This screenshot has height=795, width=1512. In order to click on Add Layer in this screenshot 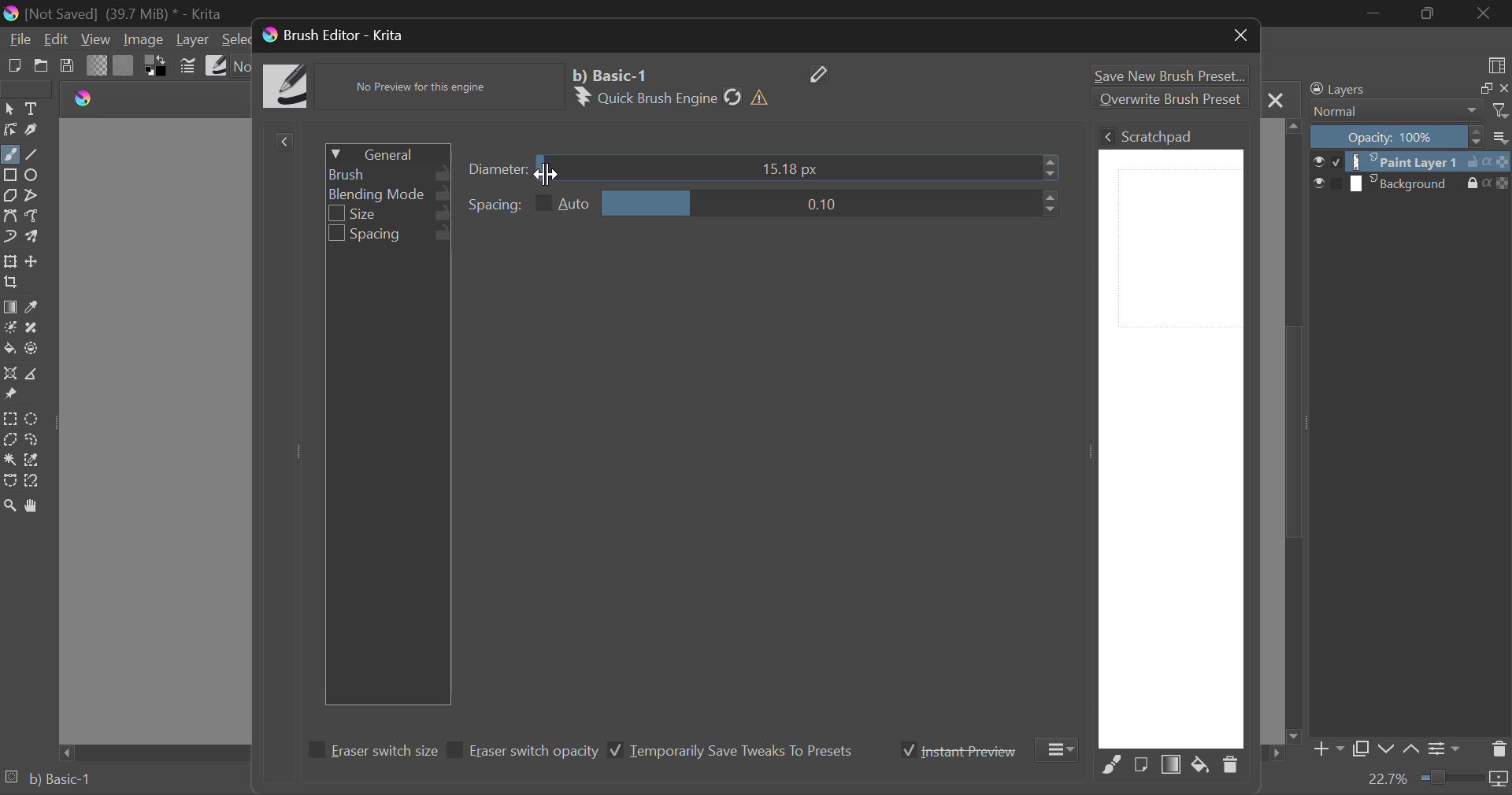, I will do `click(1328, 749)`.